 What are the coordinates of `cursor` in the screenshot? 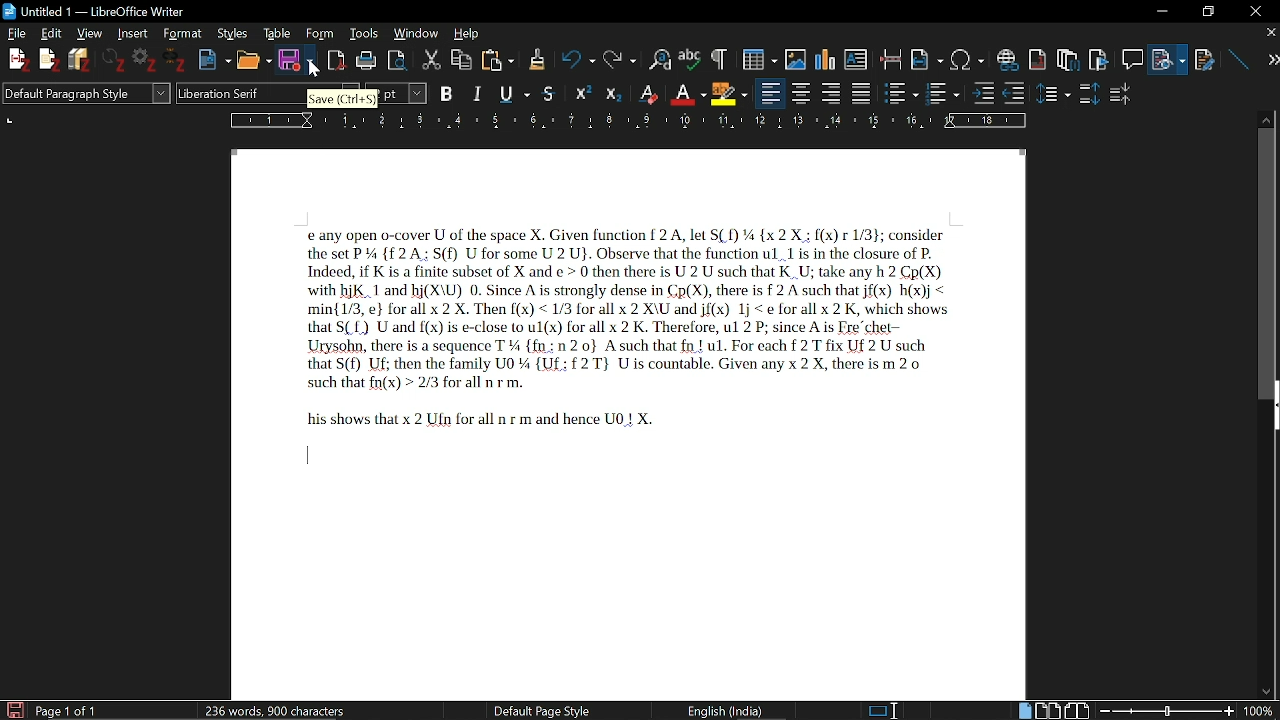 It's located at (307, 73).